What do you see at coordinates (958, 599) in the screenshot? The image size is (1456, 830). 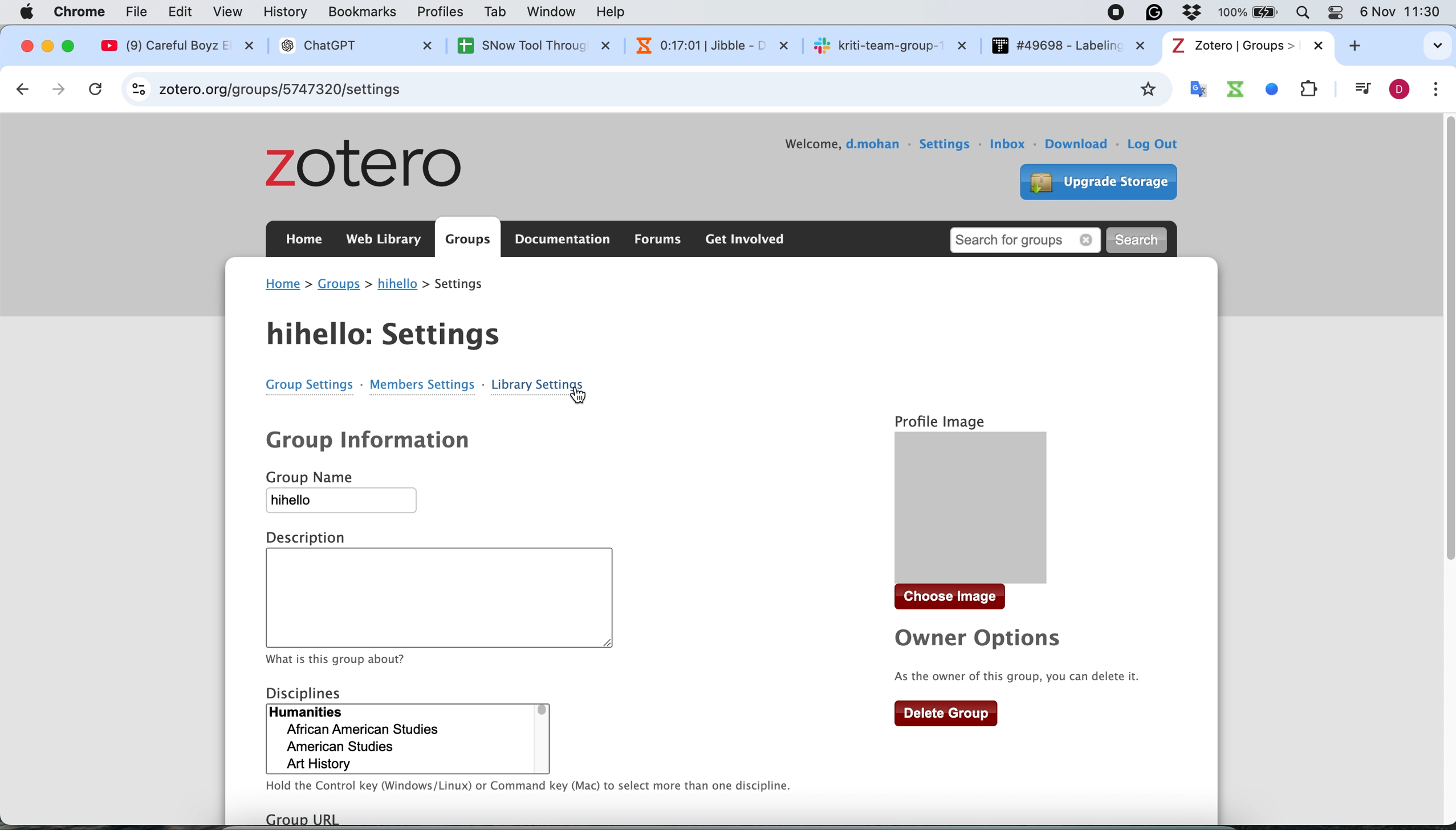 I see `choose image` at bounding box center [958, 599].